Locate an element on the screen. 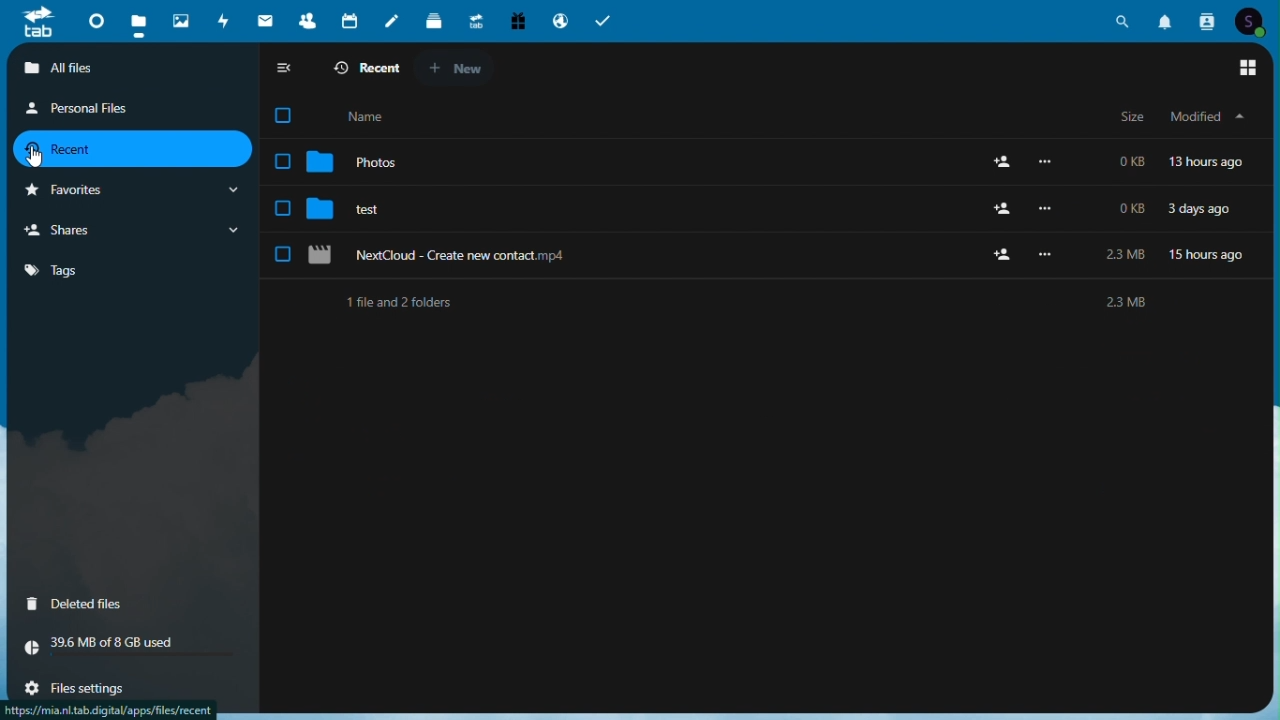  calendar is located at coordinates (345, 19).